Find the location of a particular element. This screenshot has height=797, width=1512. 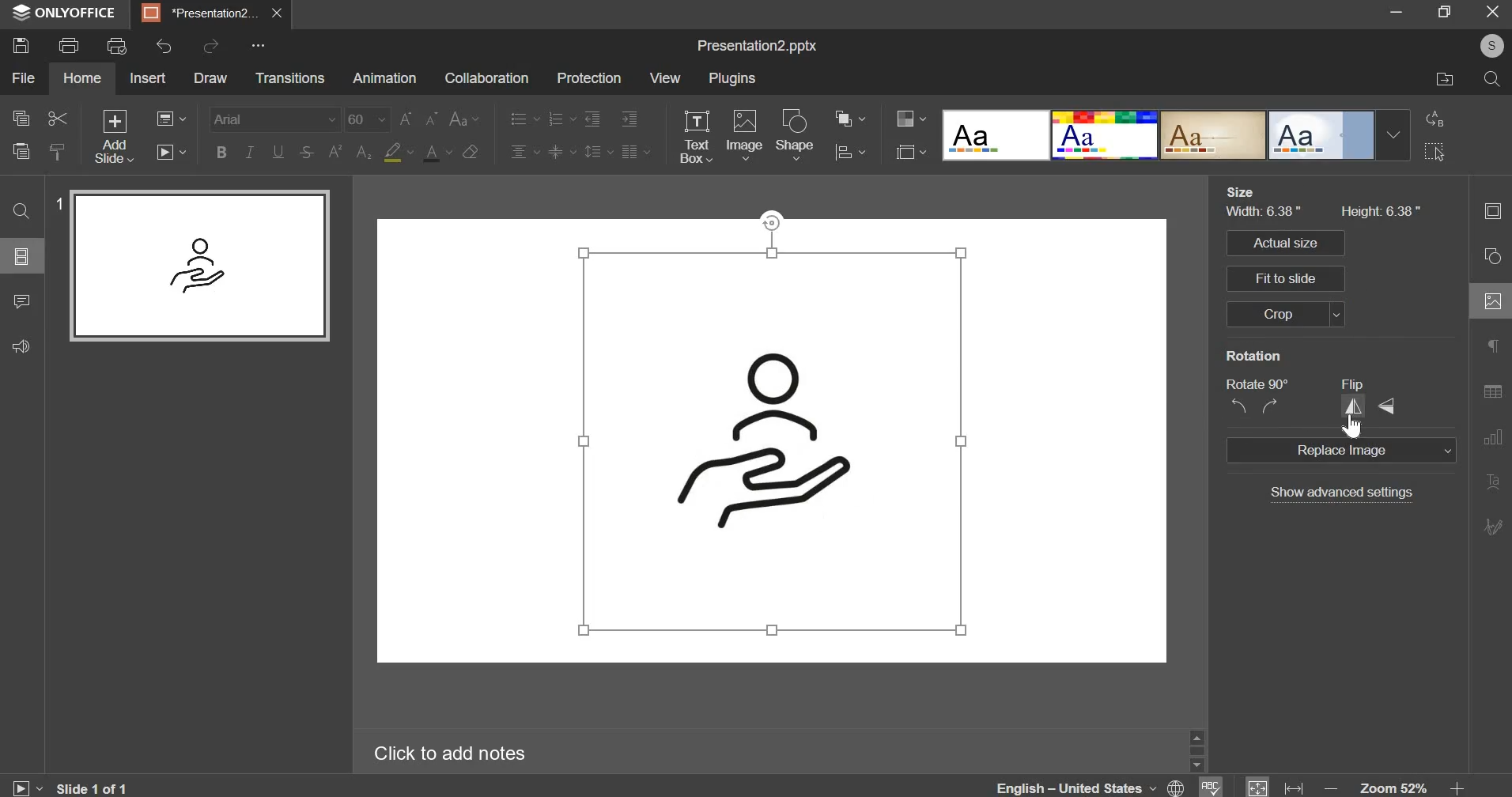

language is located at coordinates (1093, 786).